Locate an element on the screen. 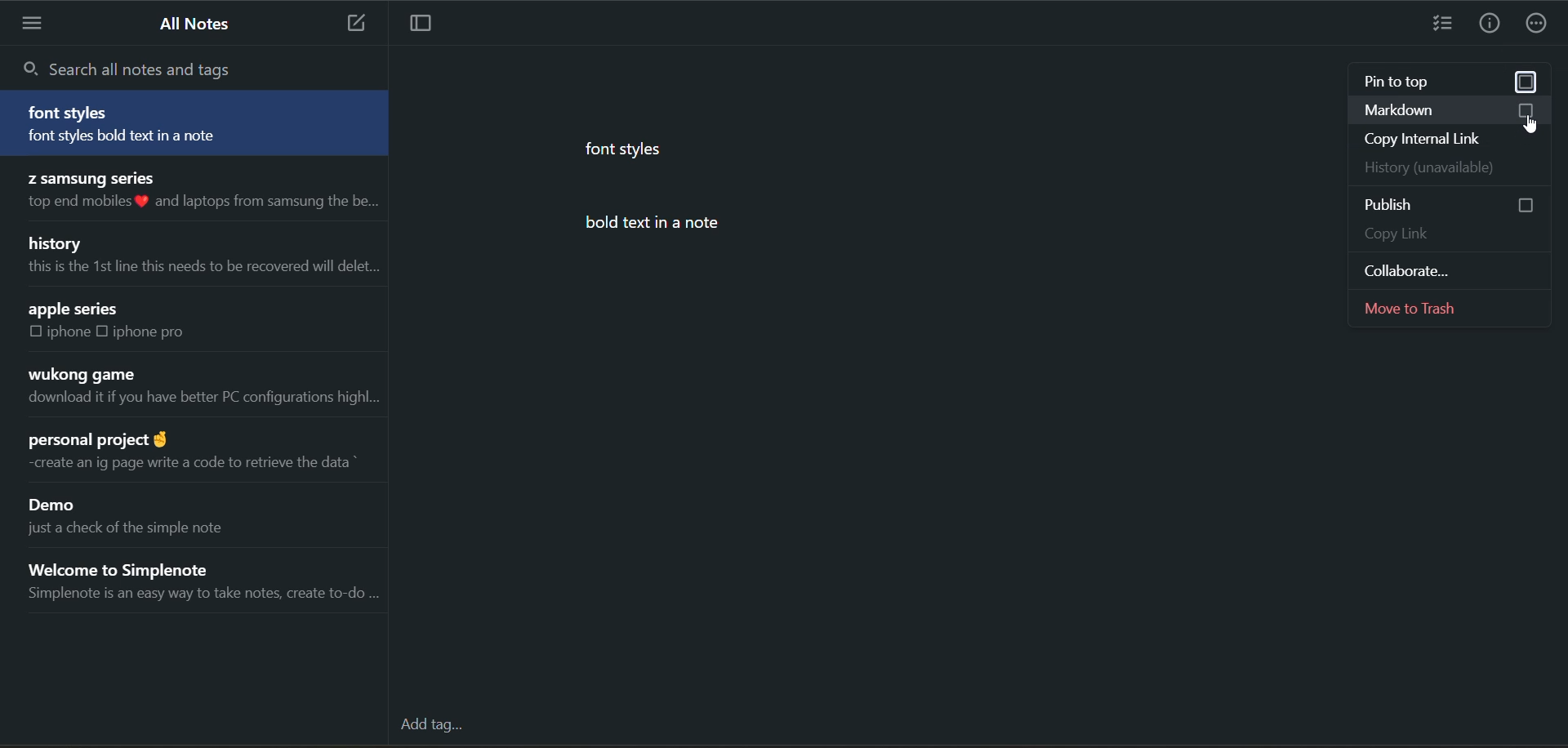 Image resolution: width=1568 pixels, height=748 pixels. this is the 1st line this needs to be recovered will delet... is located at coordinates (200, 267).